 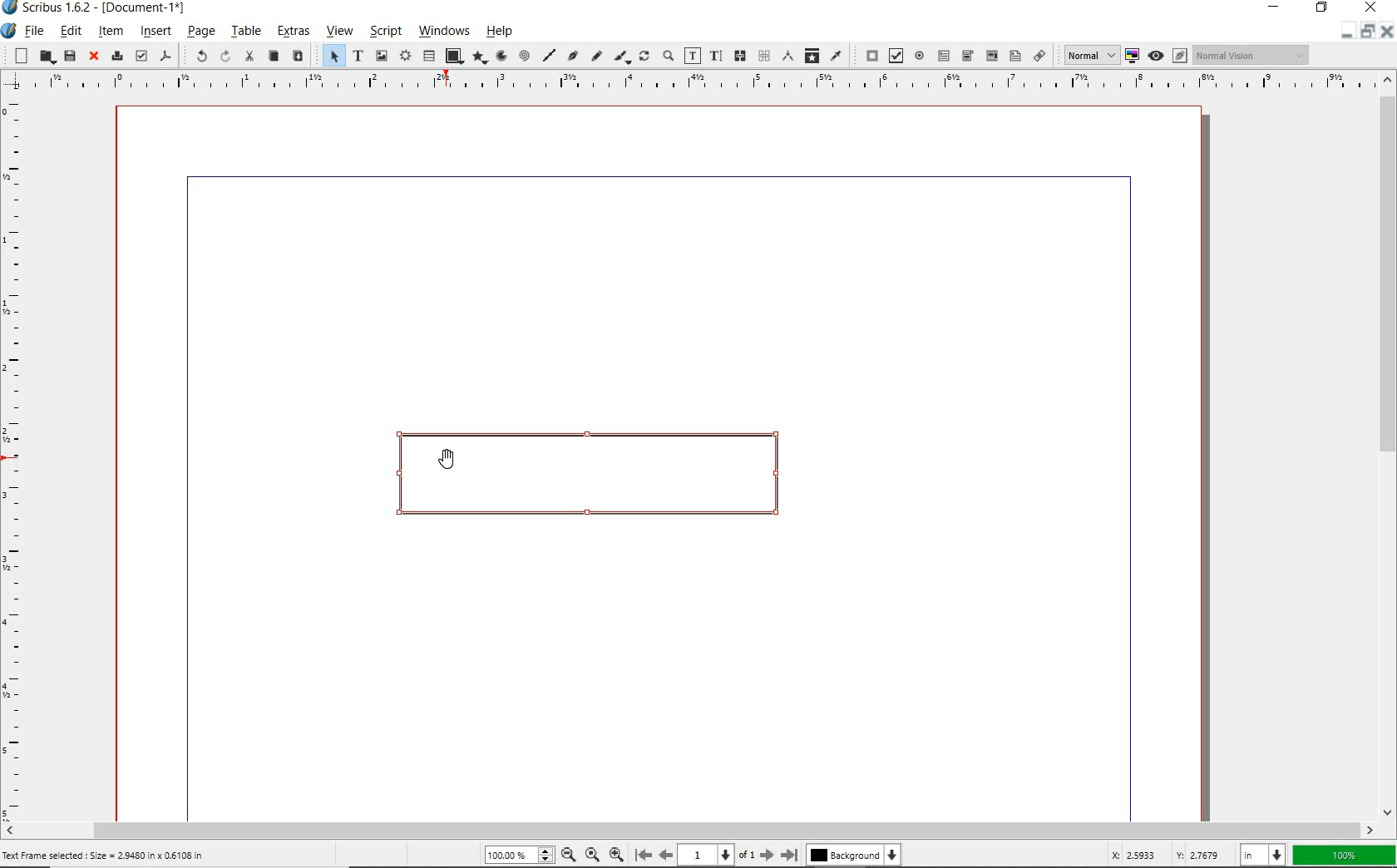 What do you see at coordinates (516, 856) in the screenshot?
I see `100%` at bounding box center [516, 856].